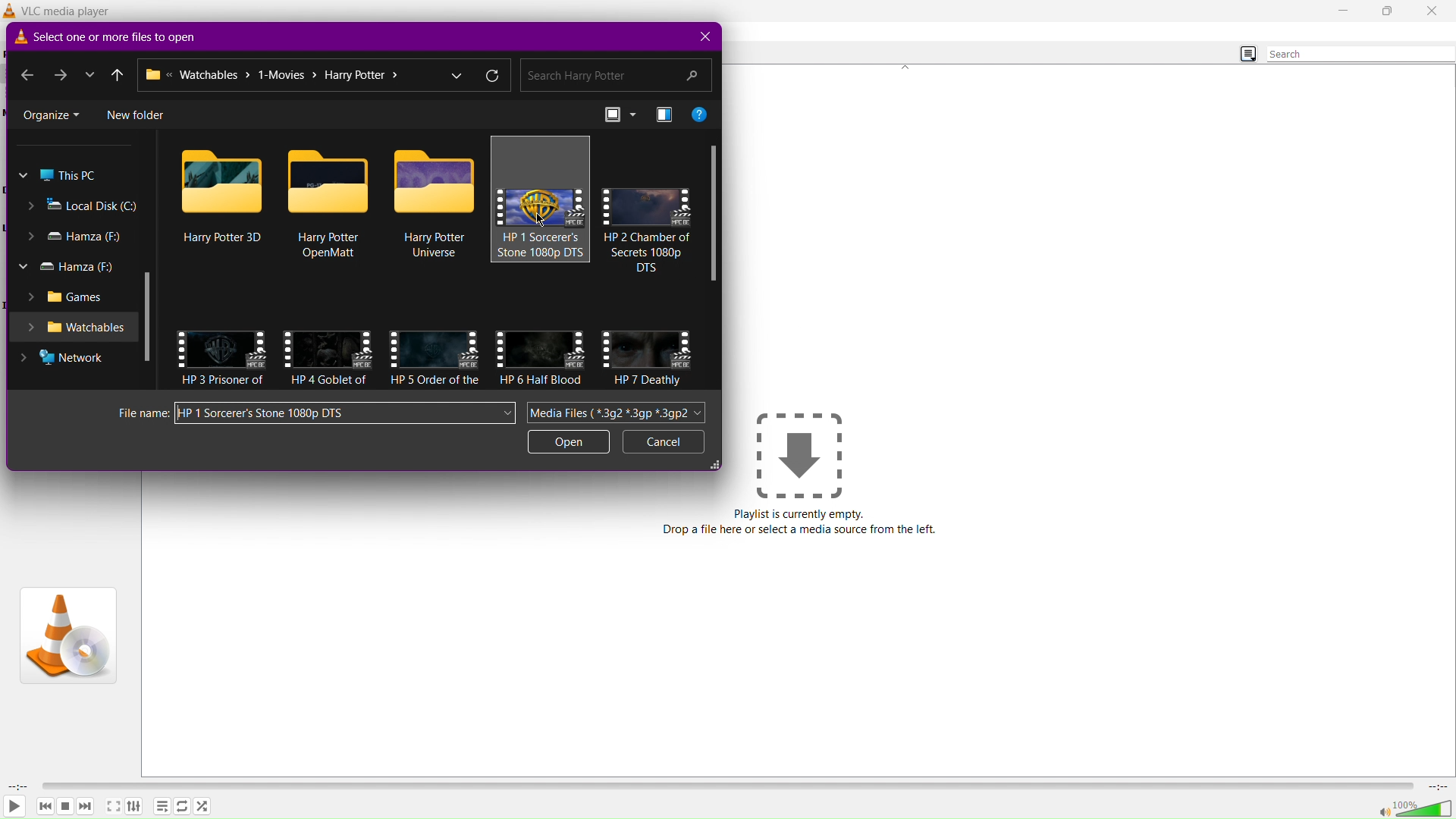  What do you see at coordinates (541, 348) in the screenshot?
I see `video file` at bounding box center [541, 348].